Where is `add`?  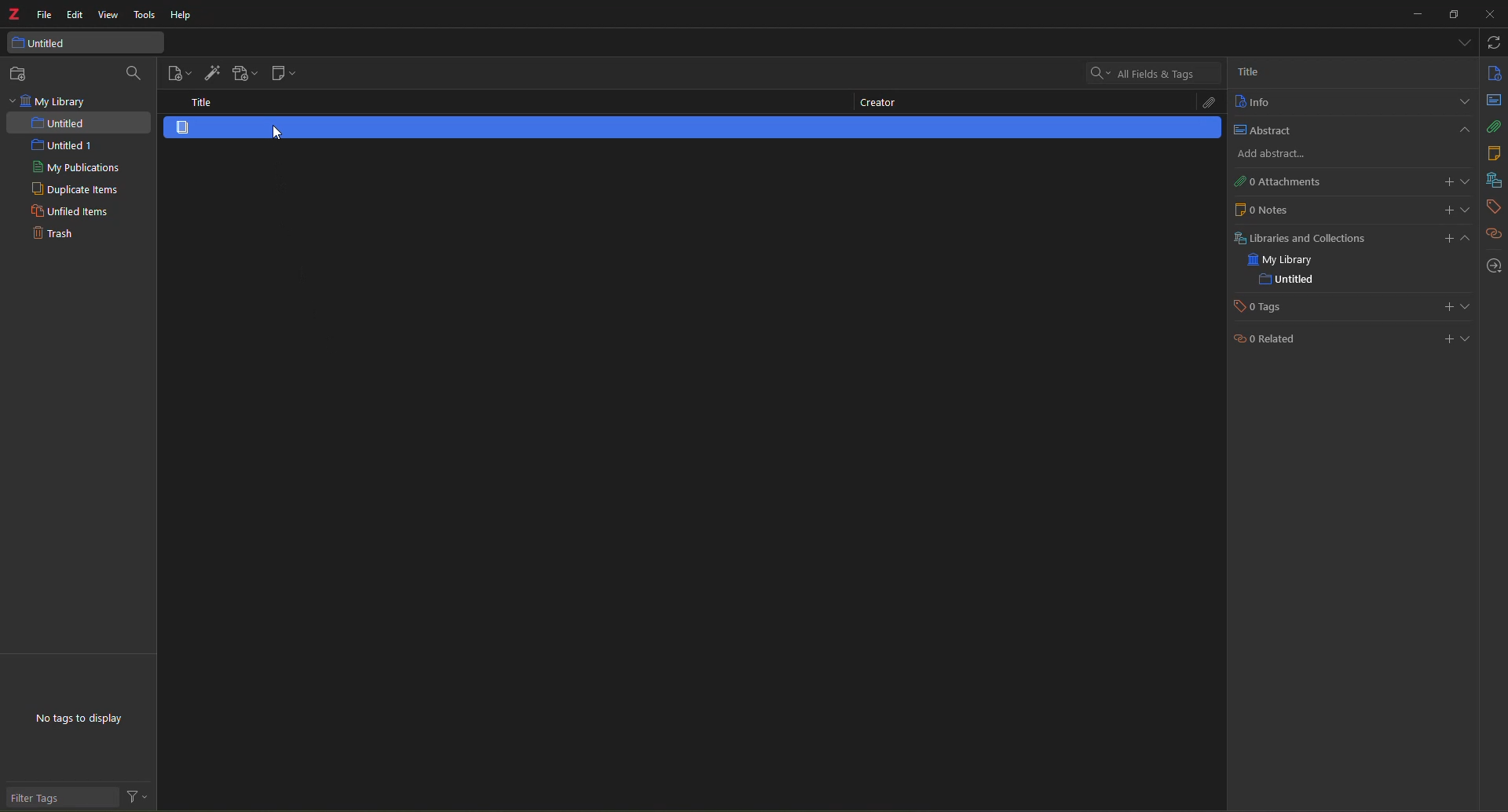 add is located at coordinates (1446, 307).